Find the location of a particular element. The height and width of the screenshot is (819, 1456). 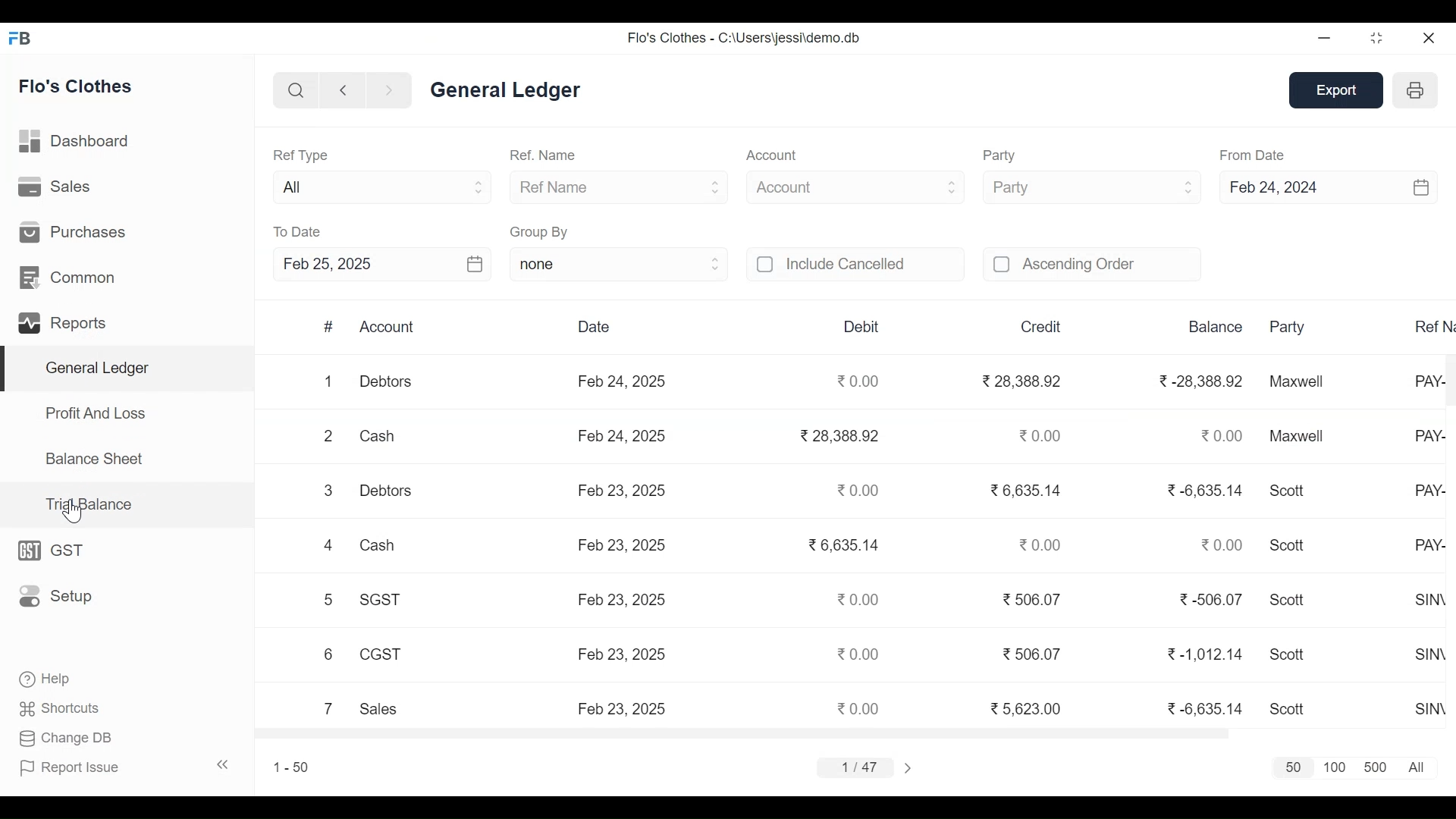

28. 388.92 is located at coordinates (839, 435).